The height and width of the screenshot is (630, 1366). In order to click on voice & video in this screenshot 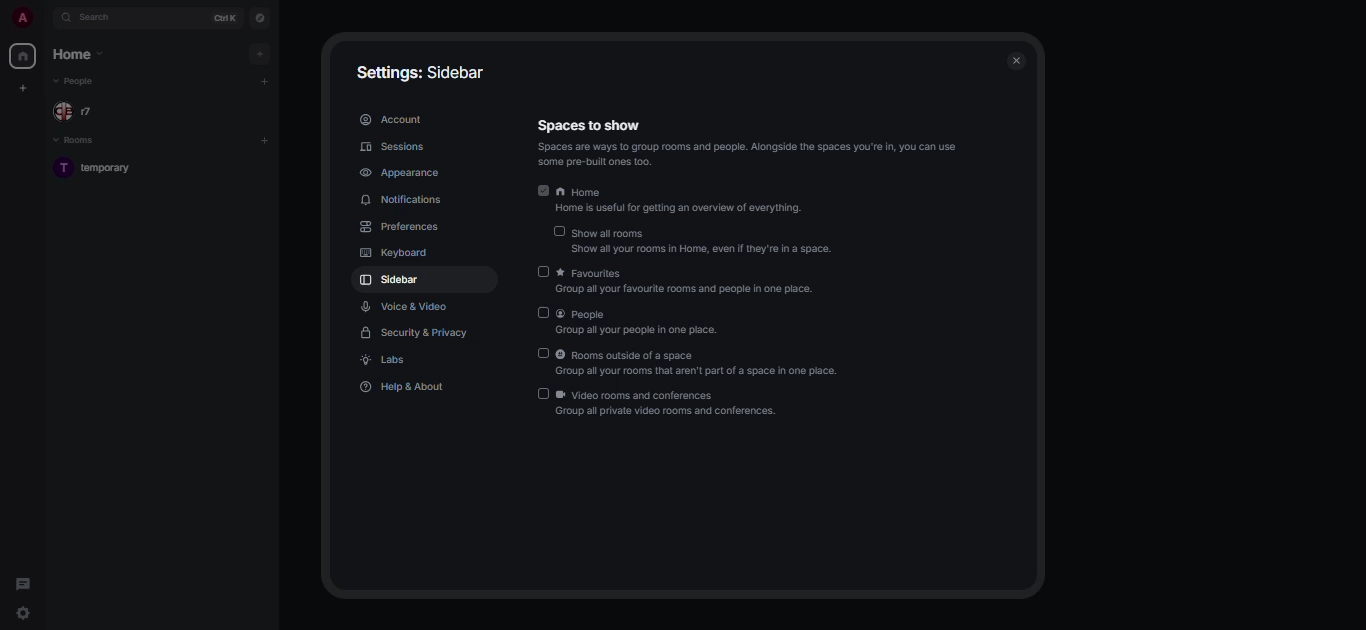, I will do `click(407, 305)`.